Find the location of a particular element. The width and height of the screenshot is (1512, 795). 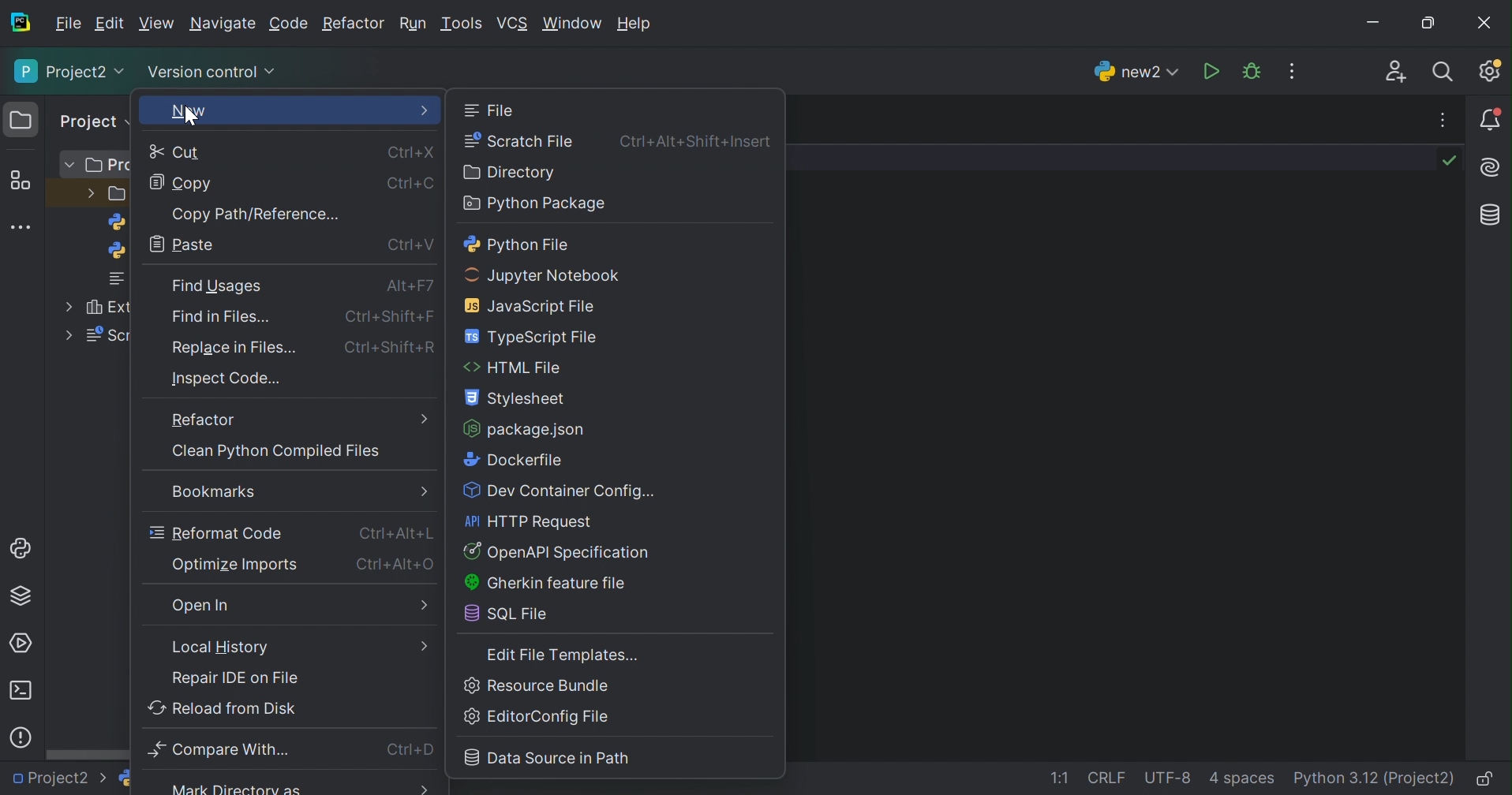

Scratch file is located at coordinates (519, 141).